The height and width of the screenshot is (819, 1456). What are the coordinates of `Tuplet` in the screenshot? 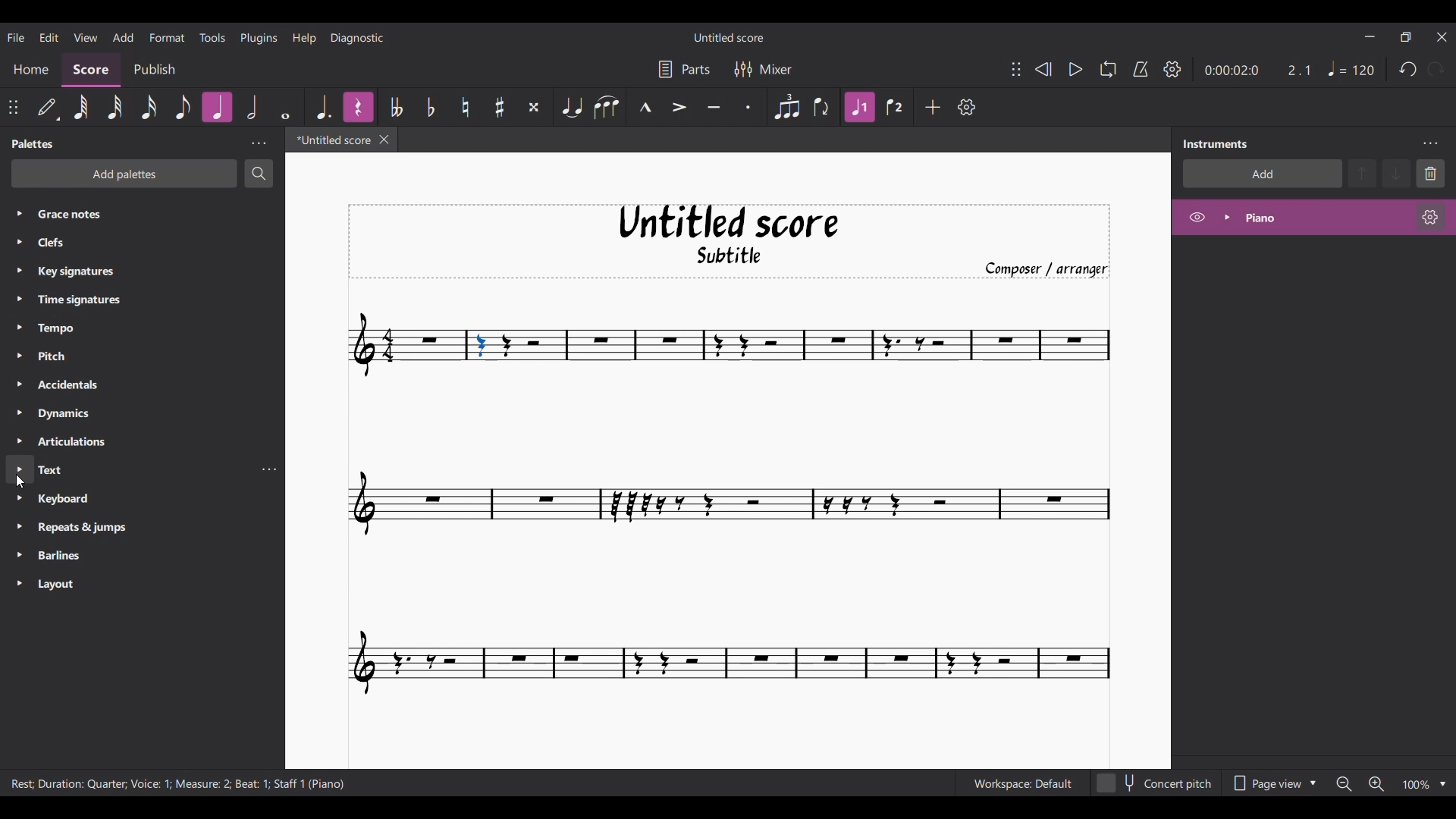 It's located at (787, 107).